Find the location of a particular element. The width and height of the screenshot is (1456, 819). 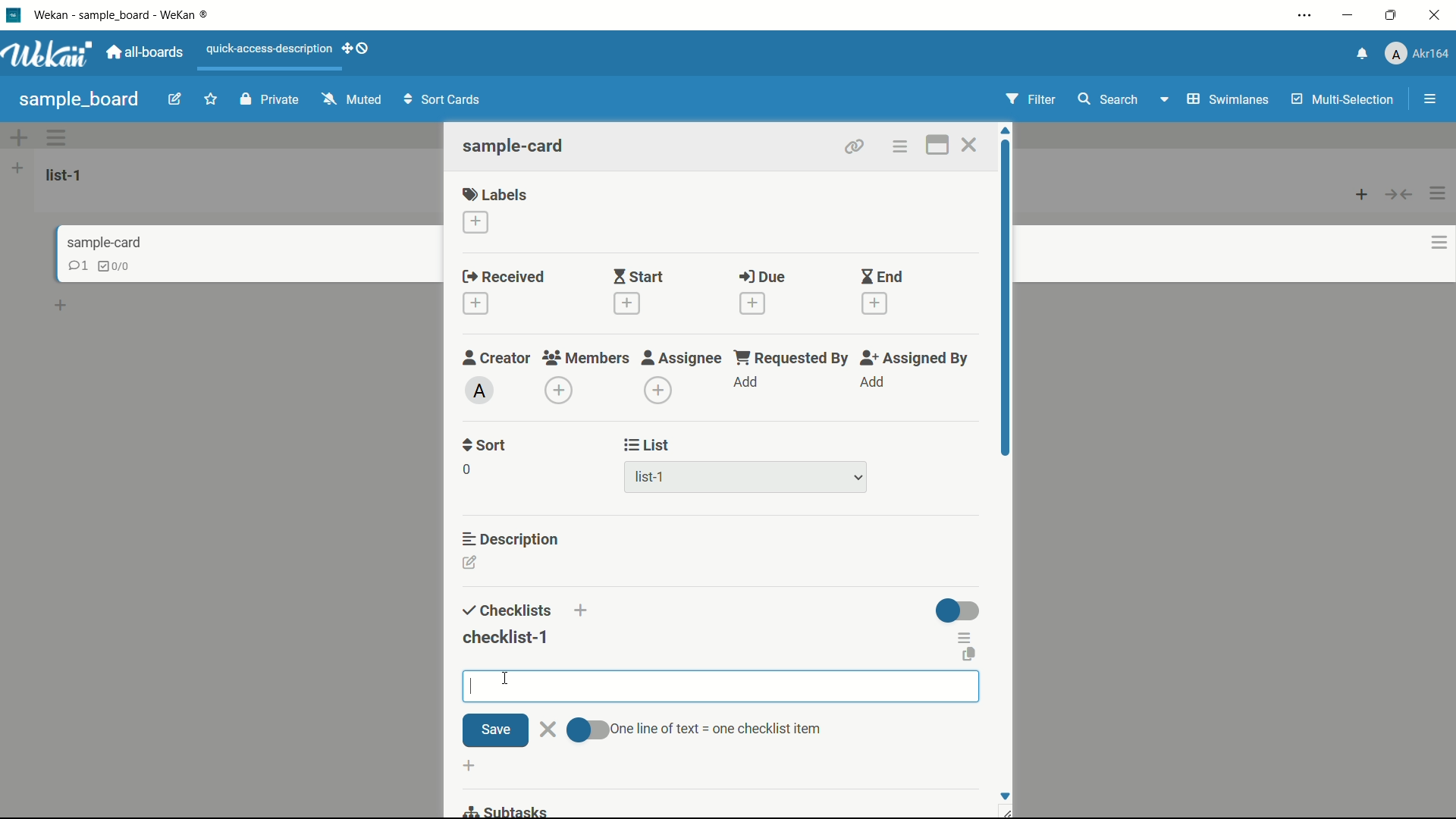

favourite is located at coordinates (211, 96).